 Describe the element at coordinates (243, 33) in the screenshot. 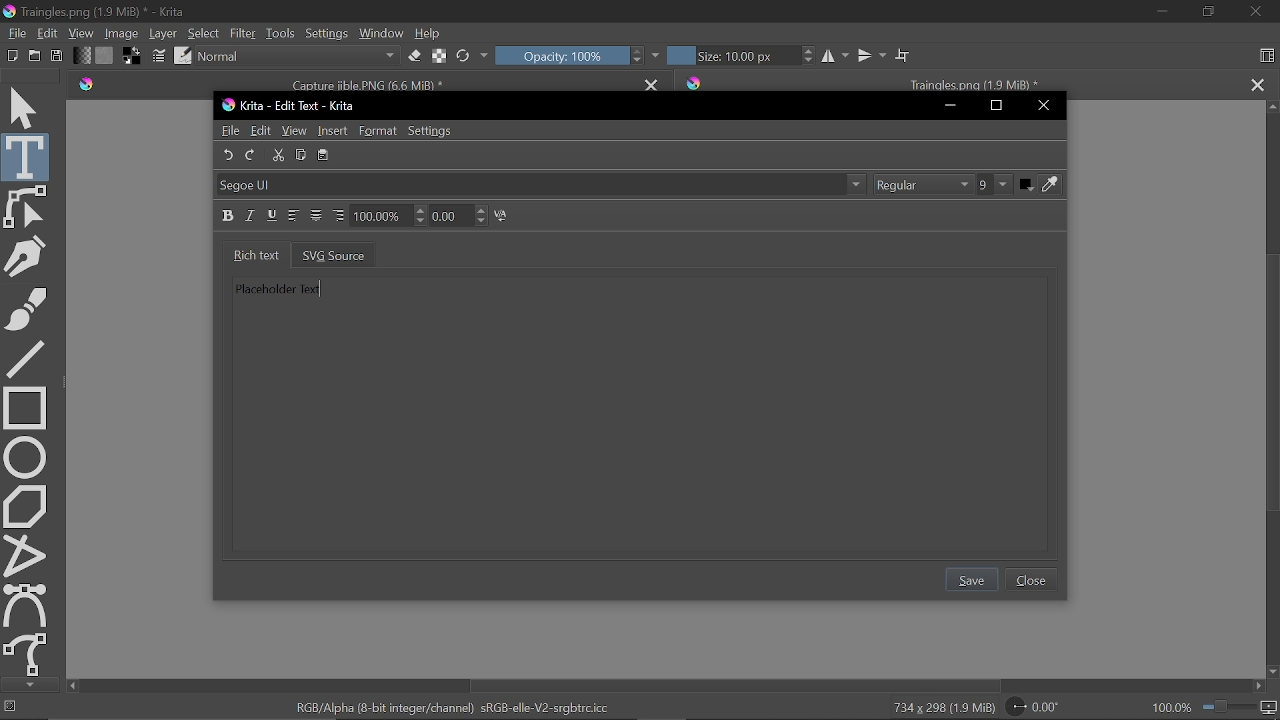

I see `Filter` at that location.